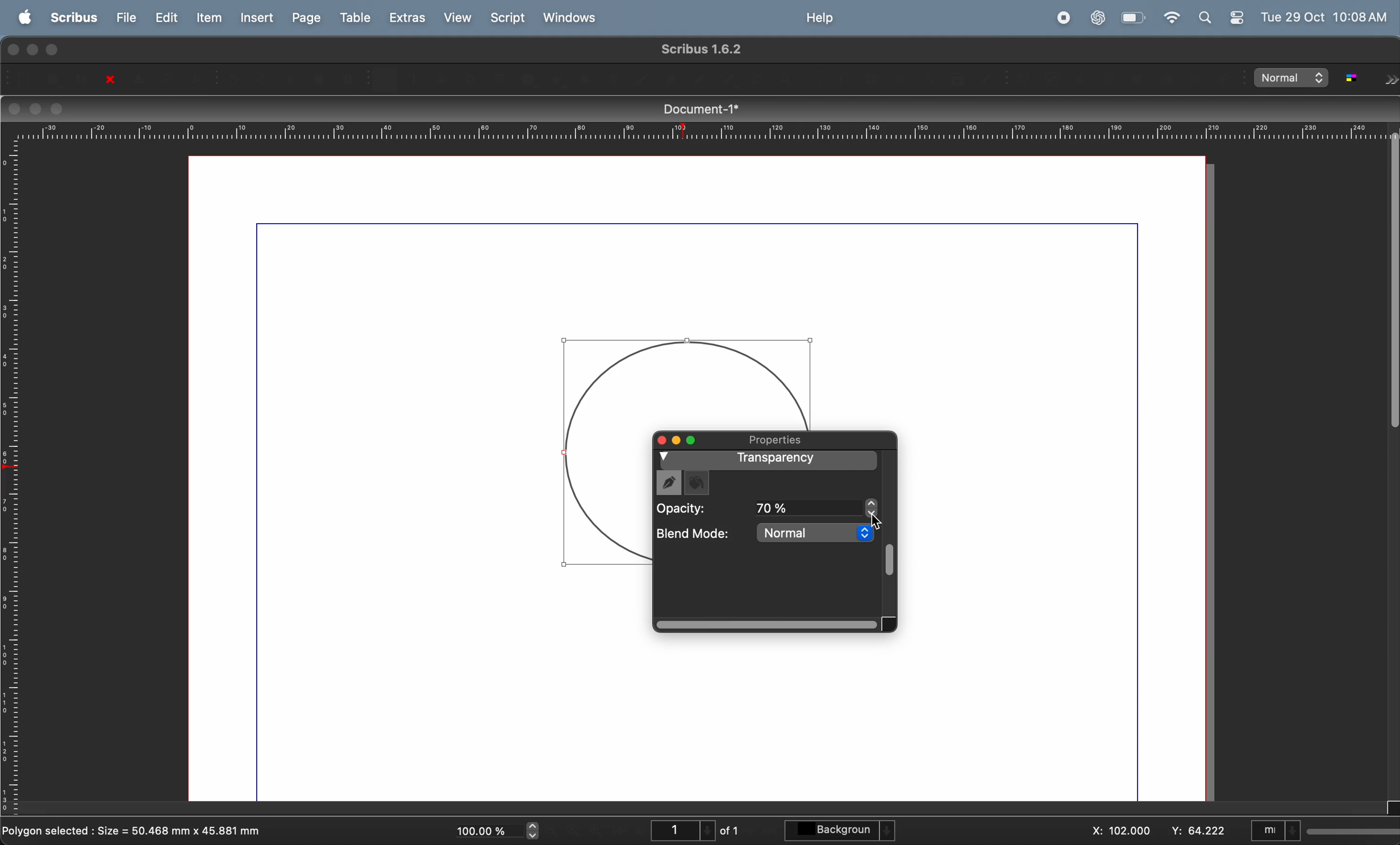 This screenshot has height=845, width=1400. I want to click on select current unit, so click(1324, 827).